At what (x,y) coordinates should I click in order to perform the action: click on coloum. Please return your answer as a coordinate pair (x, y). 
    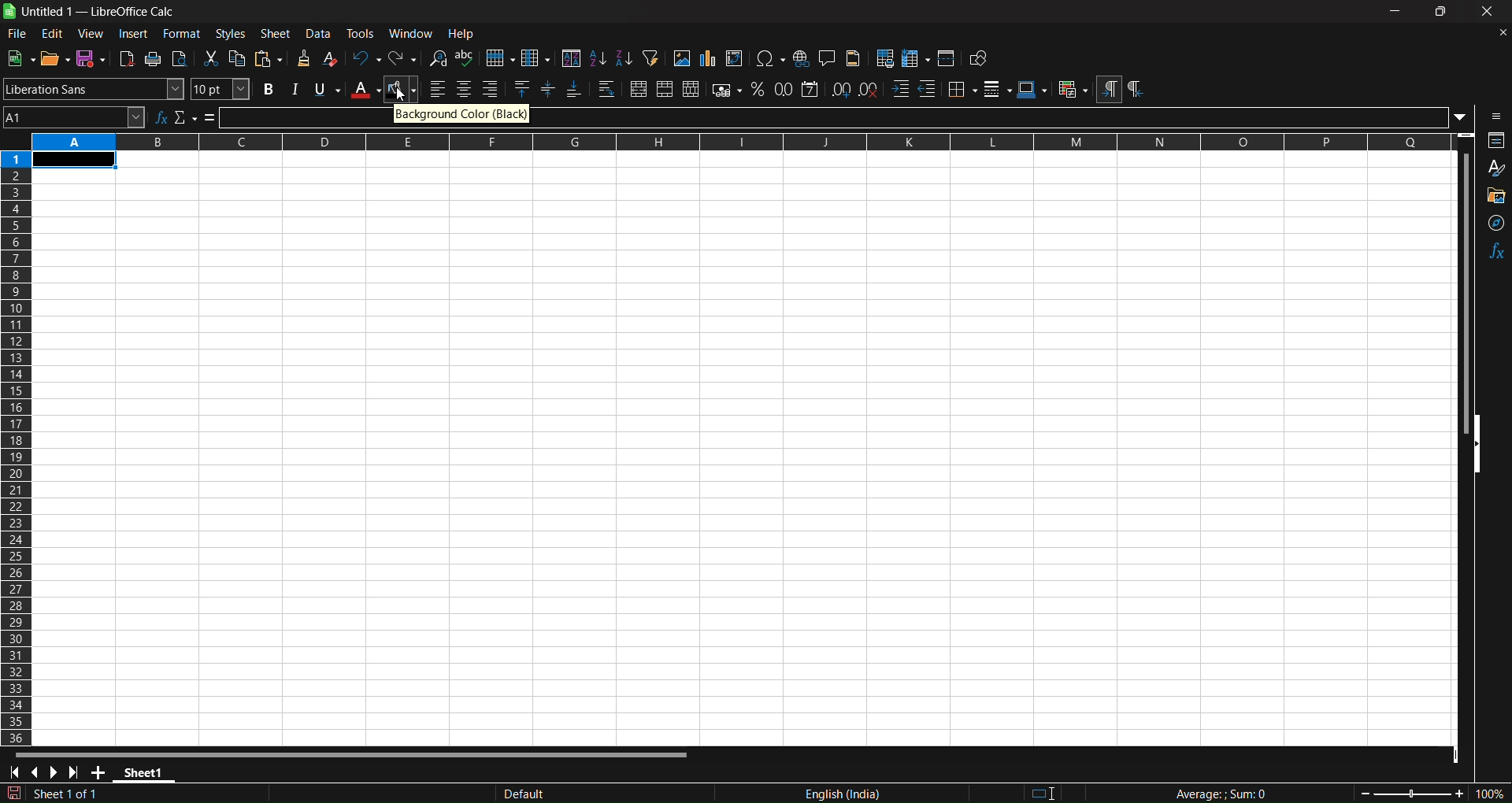
    Looking at the image, I should click on (536, 56).